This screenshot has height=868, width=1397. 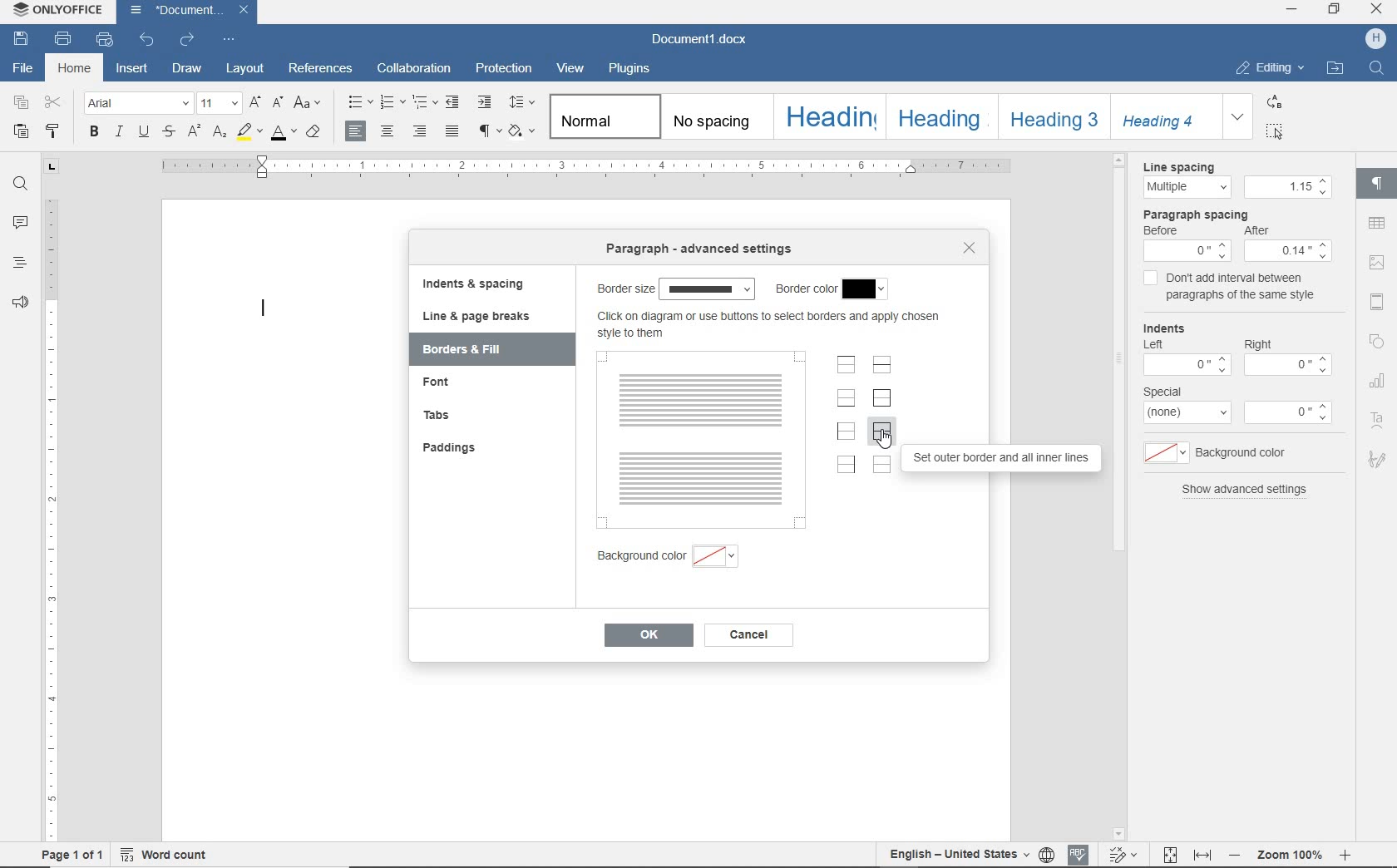 What do you see at coordinates (884, 367) in the screenshot?
I see `set horizontal inner lines only` at bounding box center [884, 367].